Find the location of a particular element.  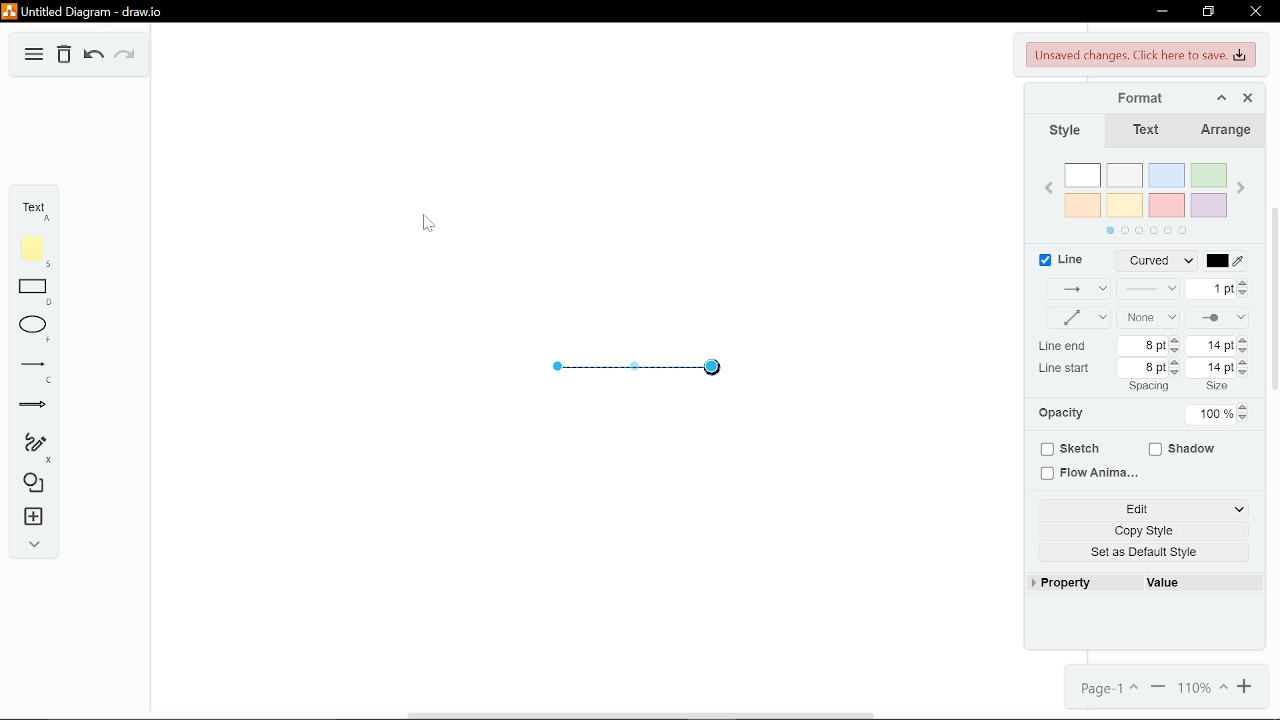

Current line start size is located at coordinates (1212, 367).